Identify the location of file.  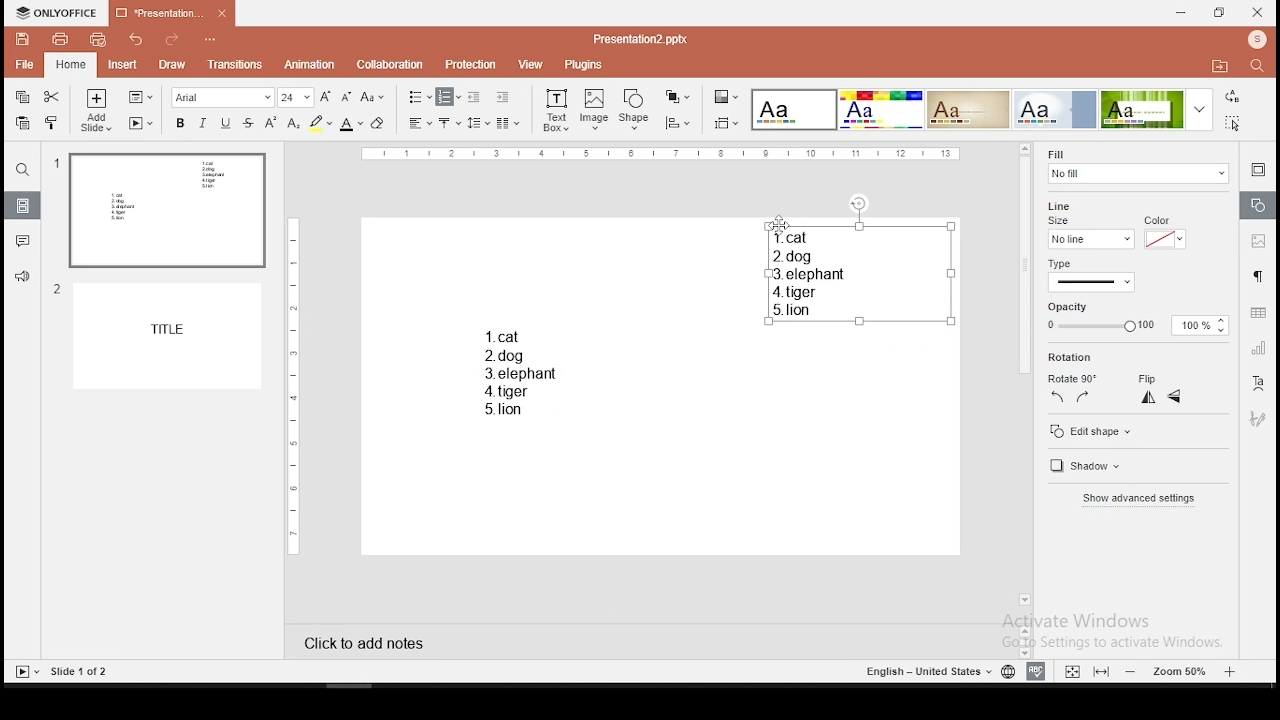
(24, 66).